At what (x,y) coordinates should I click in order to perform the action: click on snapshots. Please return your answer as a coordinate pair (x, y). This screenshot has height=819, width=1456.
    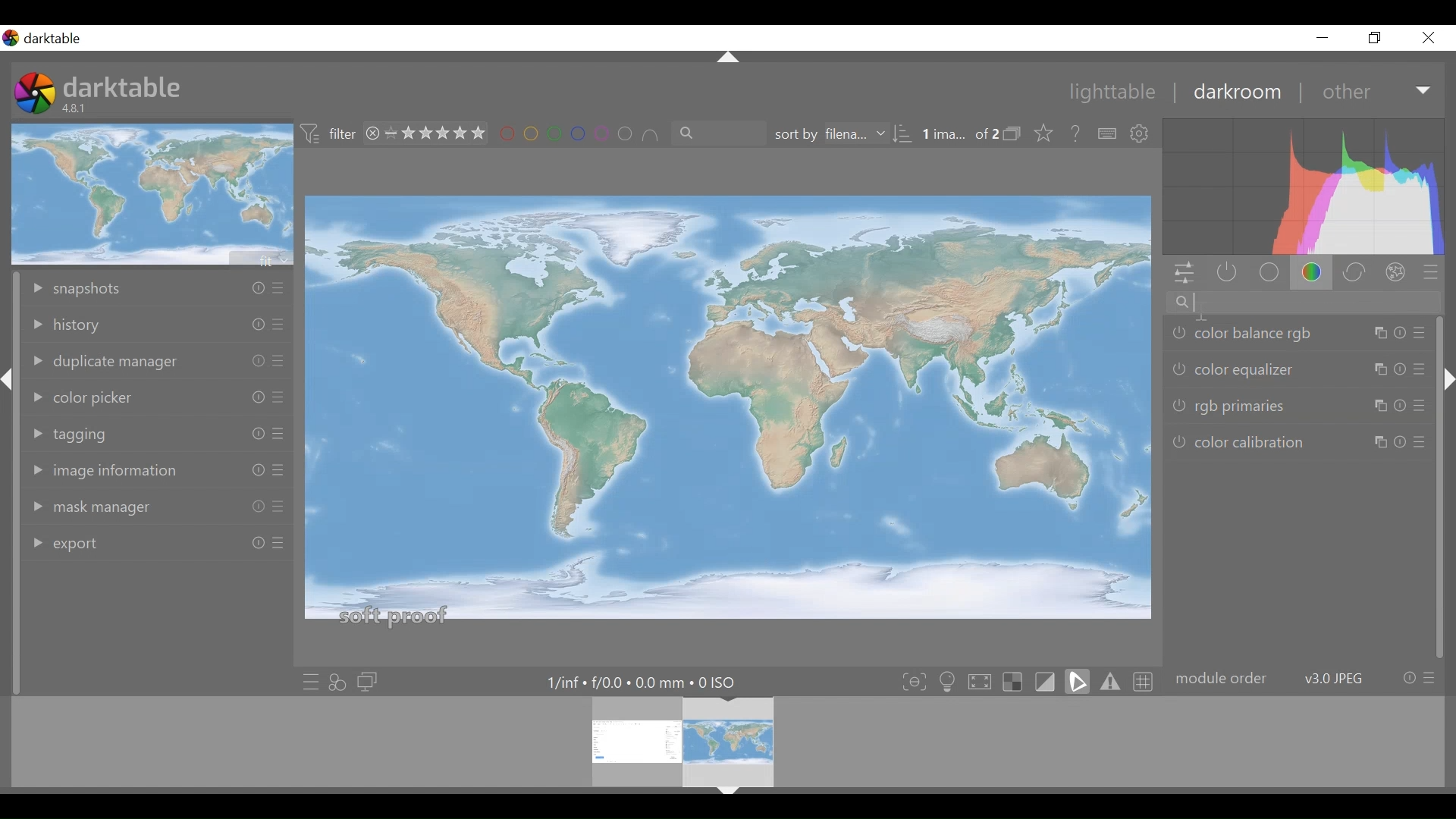
    Looking at the image, I should click on (99, 286).